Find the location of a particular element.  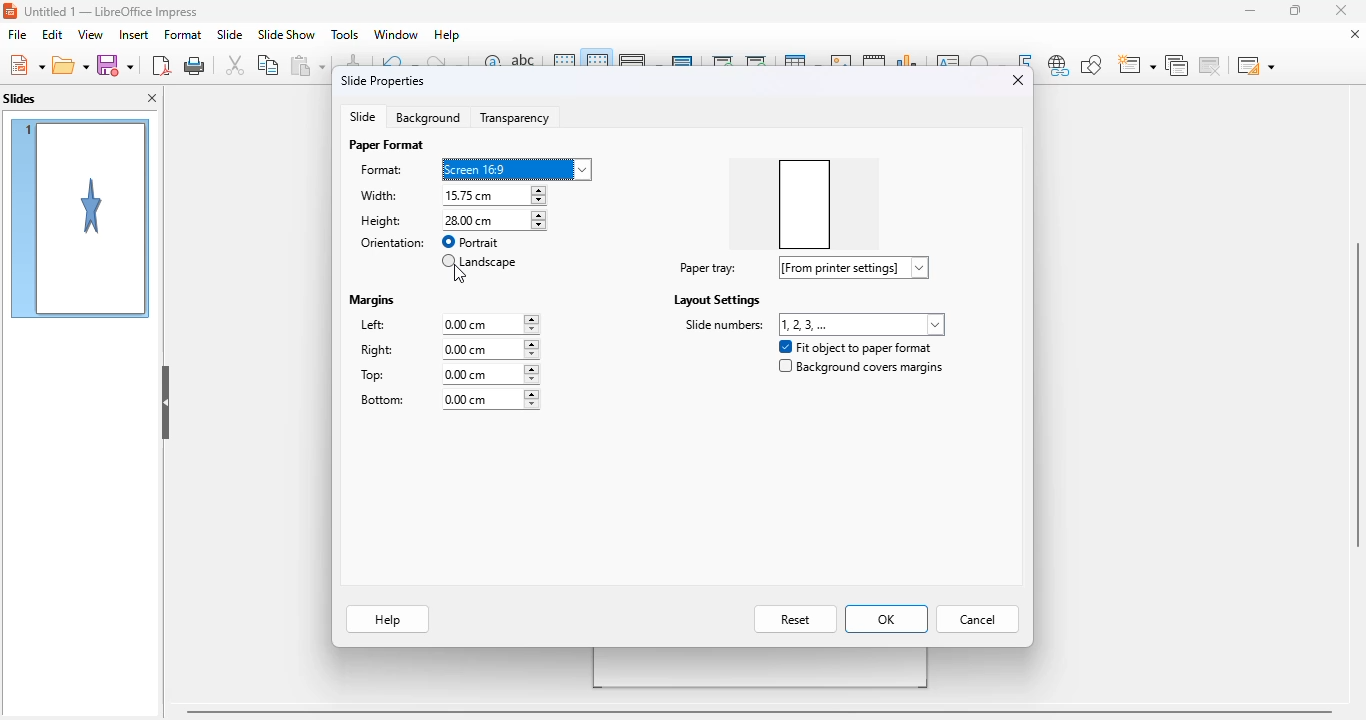

cancel is located at coordinates (978, 619).